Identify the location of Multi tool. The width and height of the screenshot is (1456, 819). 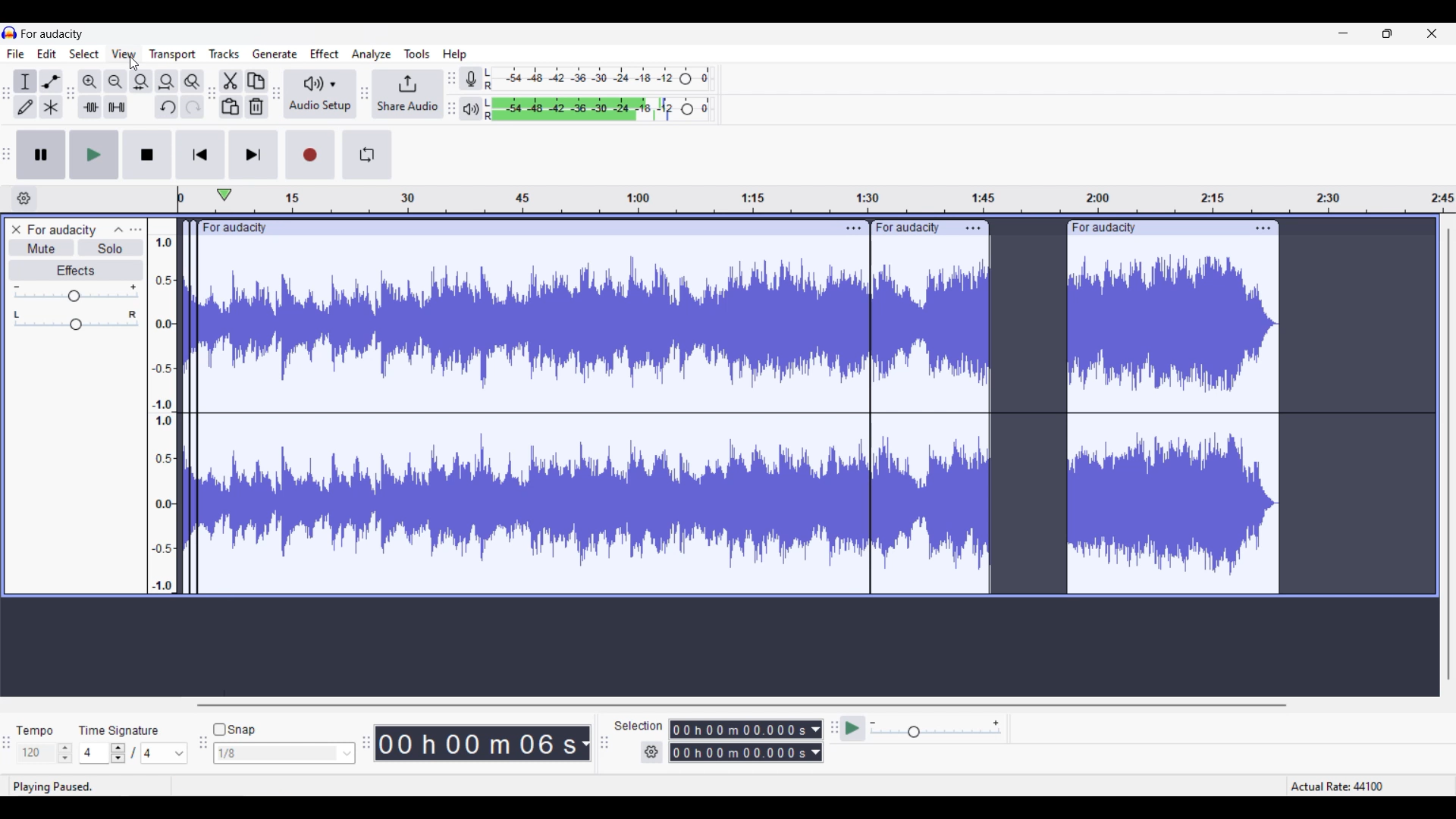
(51, 106).